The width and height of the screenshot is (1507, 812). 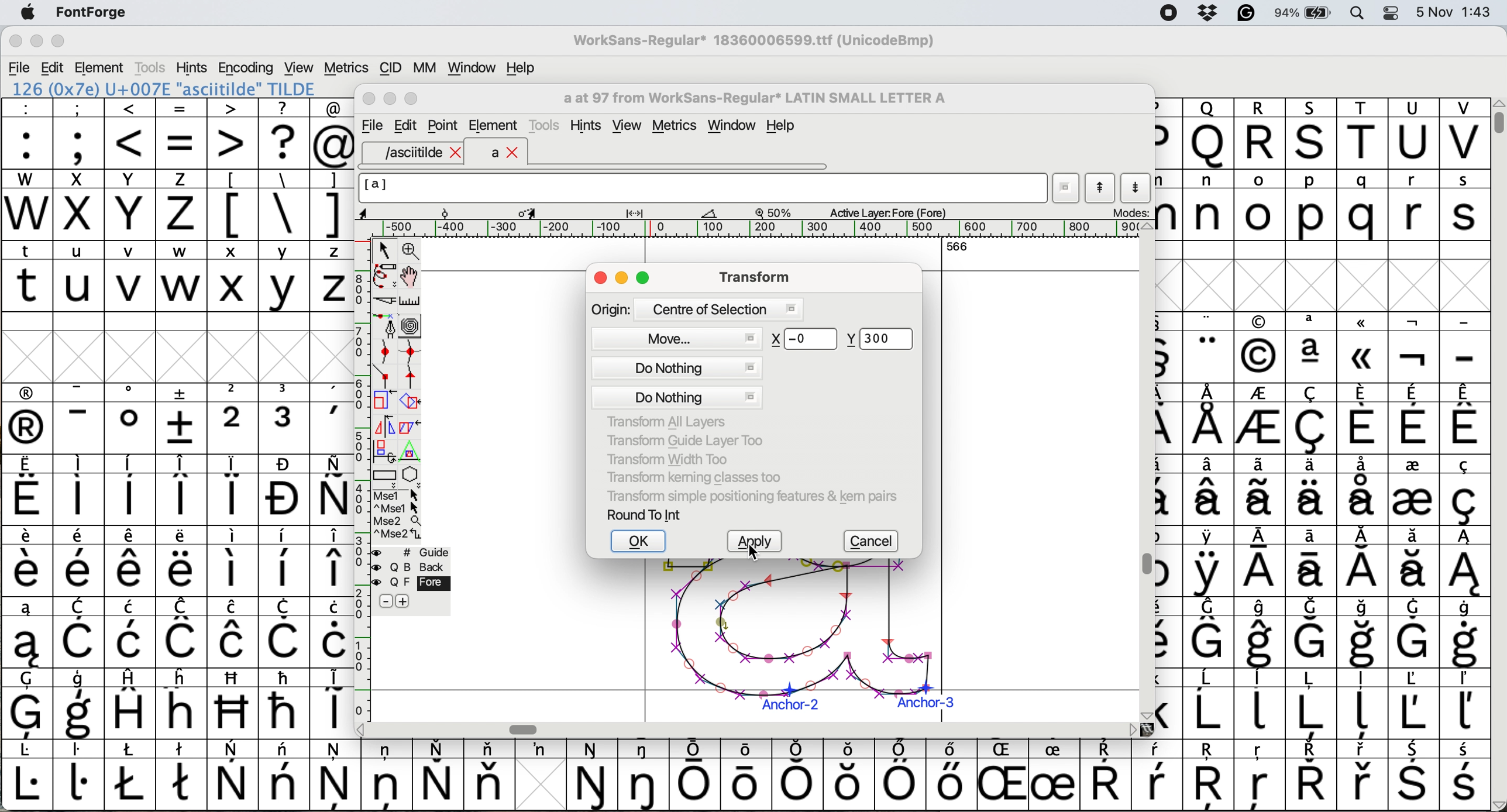 What do you see at coordinates (1365, 634) in the screenshot?
I see `symbol` at bounding box center [1365, 634].